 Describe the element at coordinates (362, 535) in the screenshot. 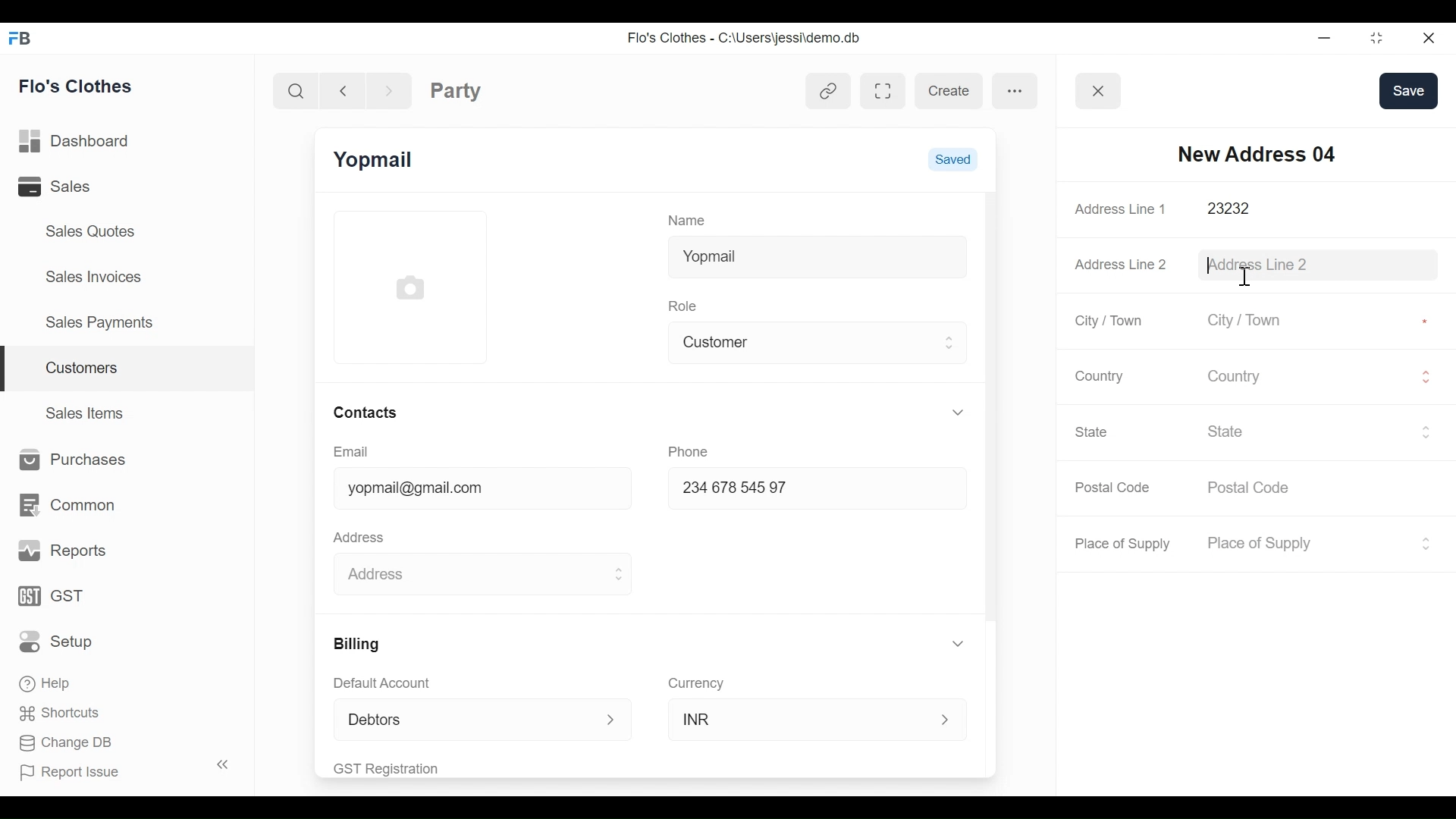

I see `Address` at that location.